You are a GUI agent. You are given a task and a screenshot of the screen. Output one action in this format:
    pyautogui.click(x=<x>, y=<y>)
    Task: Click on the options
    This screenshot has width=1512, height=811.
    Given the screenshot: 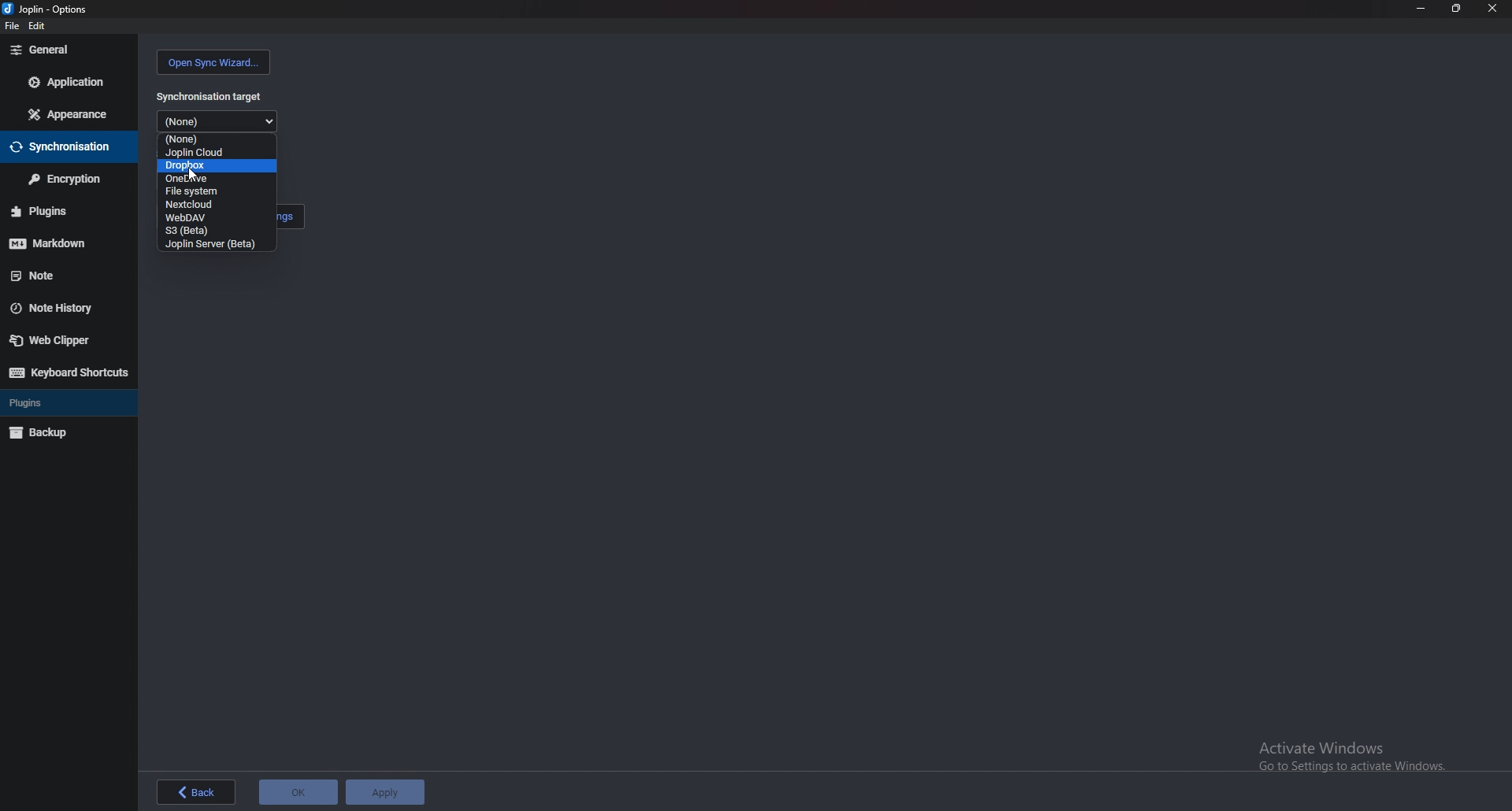 What is the action you would take?
    pyautogui.click(x=54, y=8)
    